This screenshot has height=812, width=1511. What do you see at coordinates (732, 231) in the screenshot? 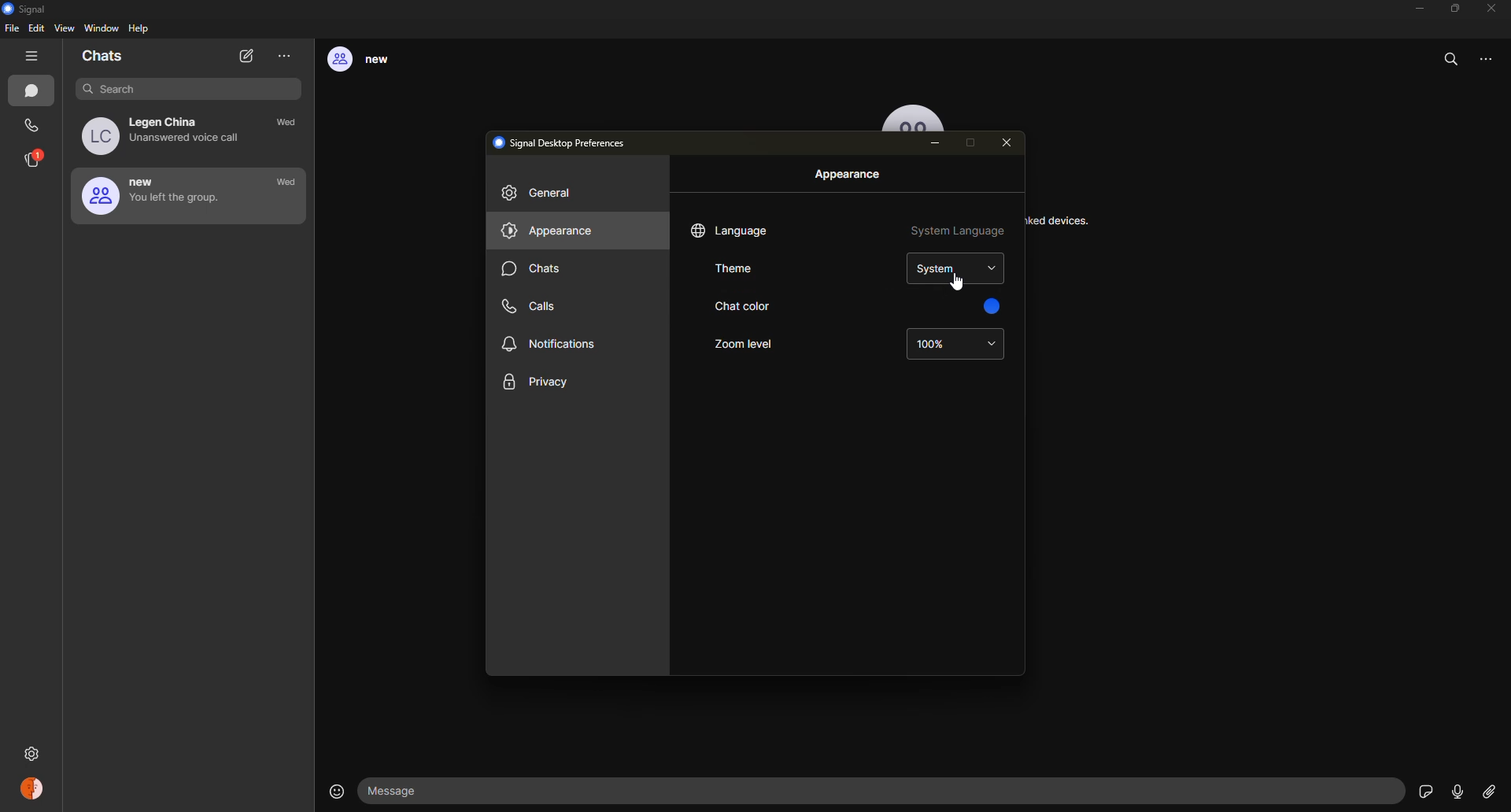
I see `language` at bounding box center [732, 231].